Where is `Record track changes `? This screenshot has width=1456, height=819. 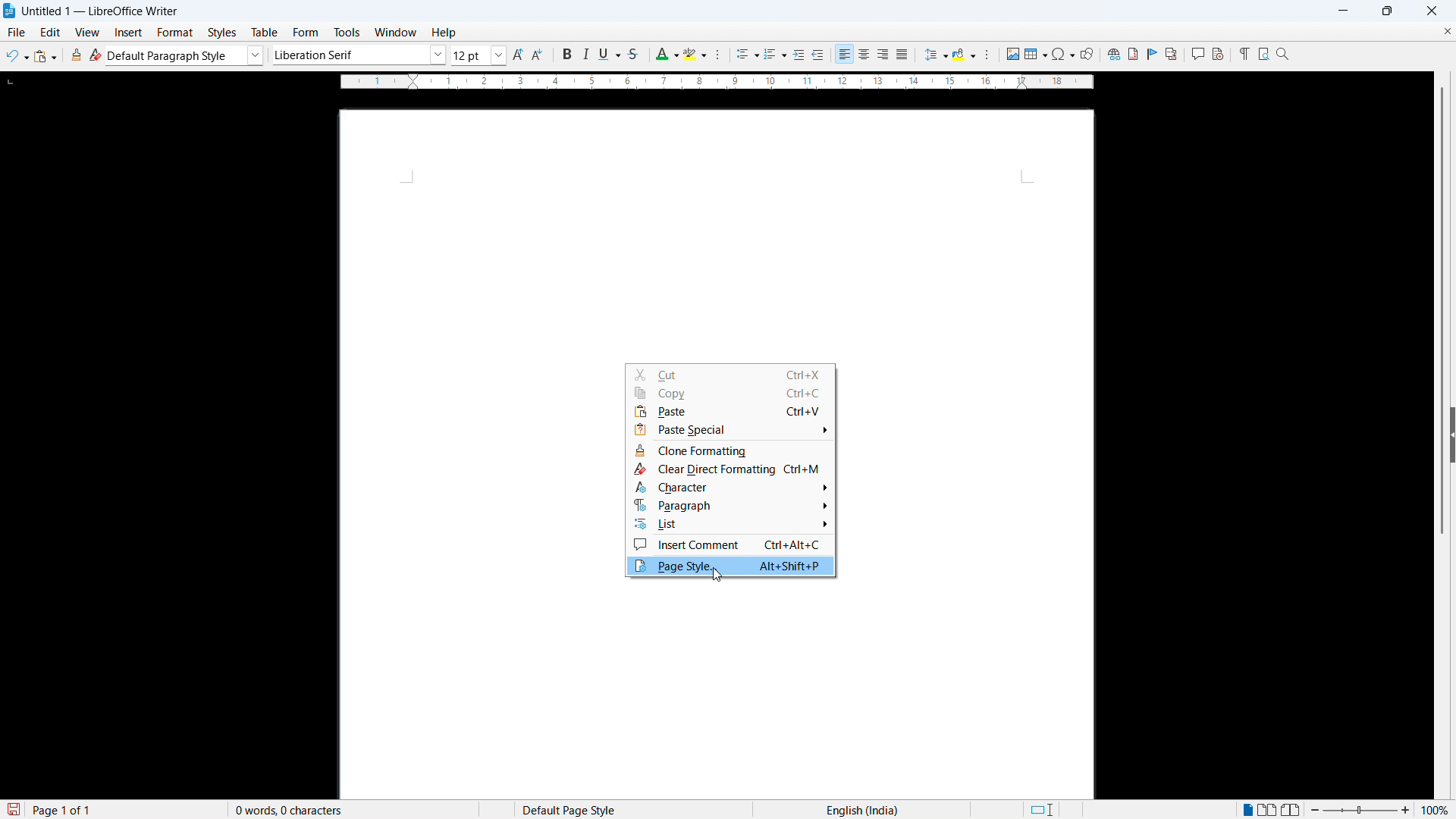
Record track changes  is located at coordinates (1218, 54).